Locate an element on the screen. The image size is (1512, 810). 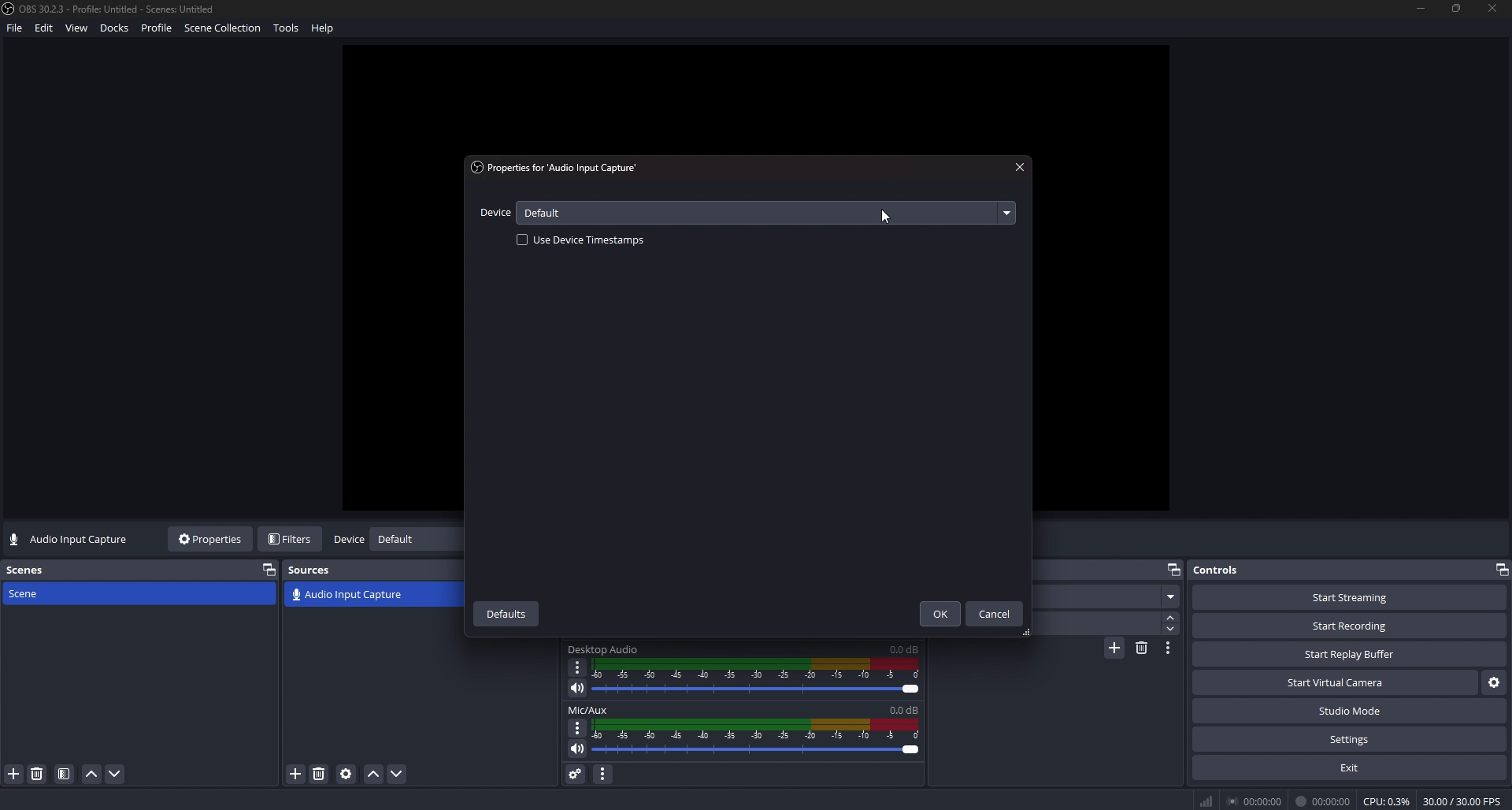
cursor is located at coordinates (887, 215).